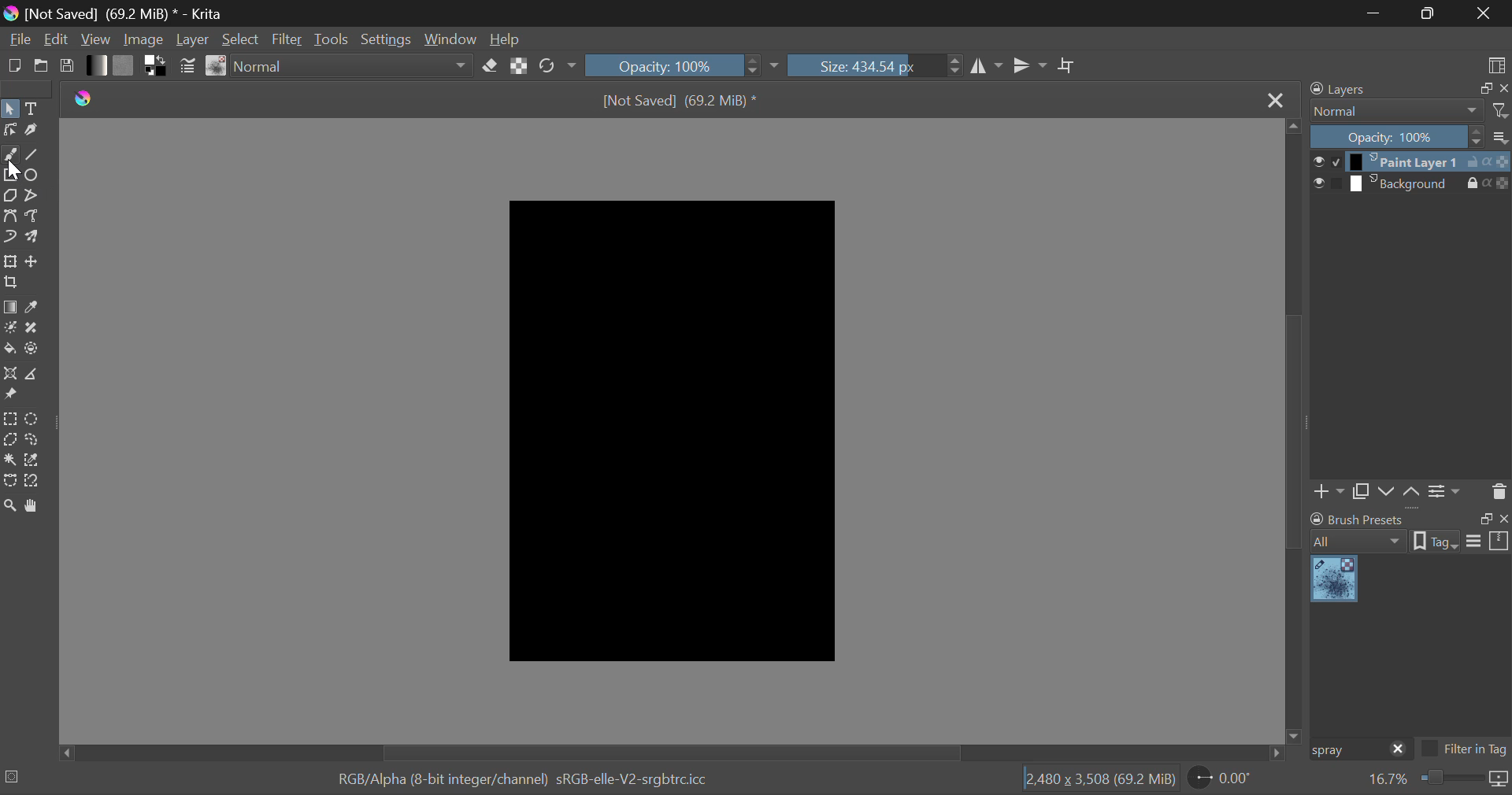 The width and height of the screenshot is (1512, 795). I want to click on Blank Black Fill Canvas, so click(670, 429).